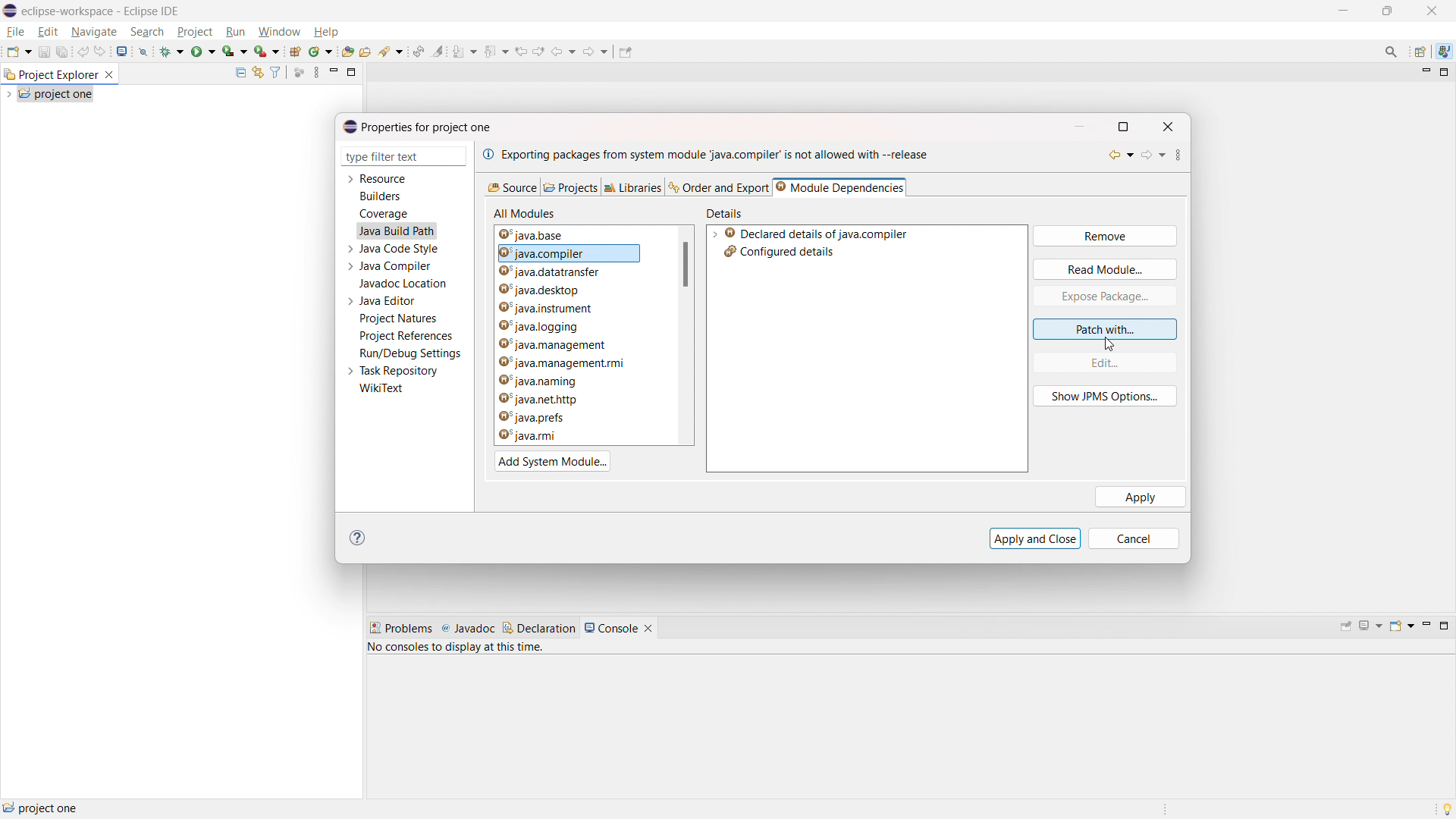 This screenshot has width=1456, height=819. Describe the element at coordinates (1169, 125) in the screenshot. I see `close` at that location.